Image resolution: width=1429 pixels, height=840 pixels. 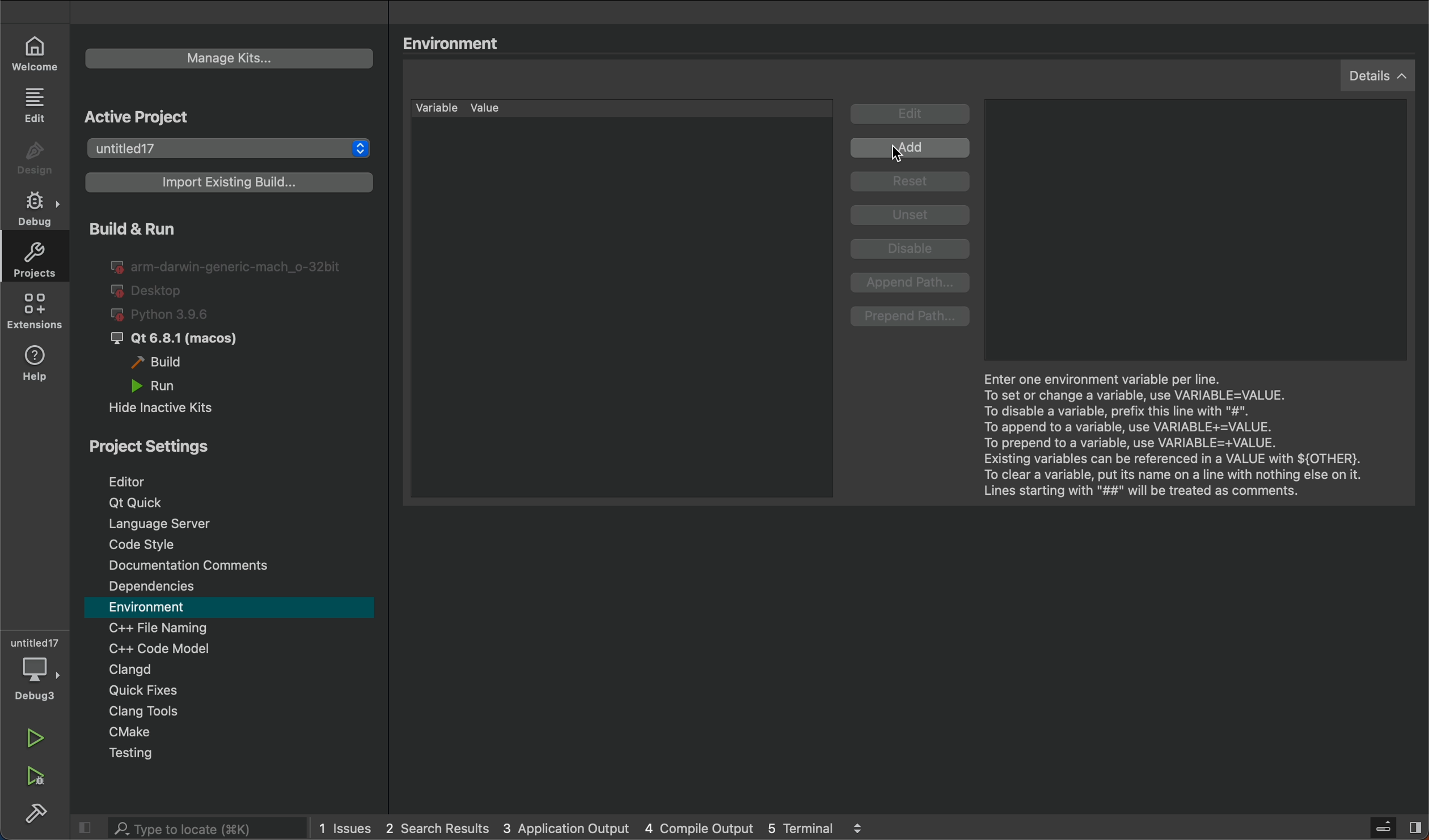 What do you see at coordinates (233, 542) in the screenshot?
I see `code style` at bounding box center [233, 542].